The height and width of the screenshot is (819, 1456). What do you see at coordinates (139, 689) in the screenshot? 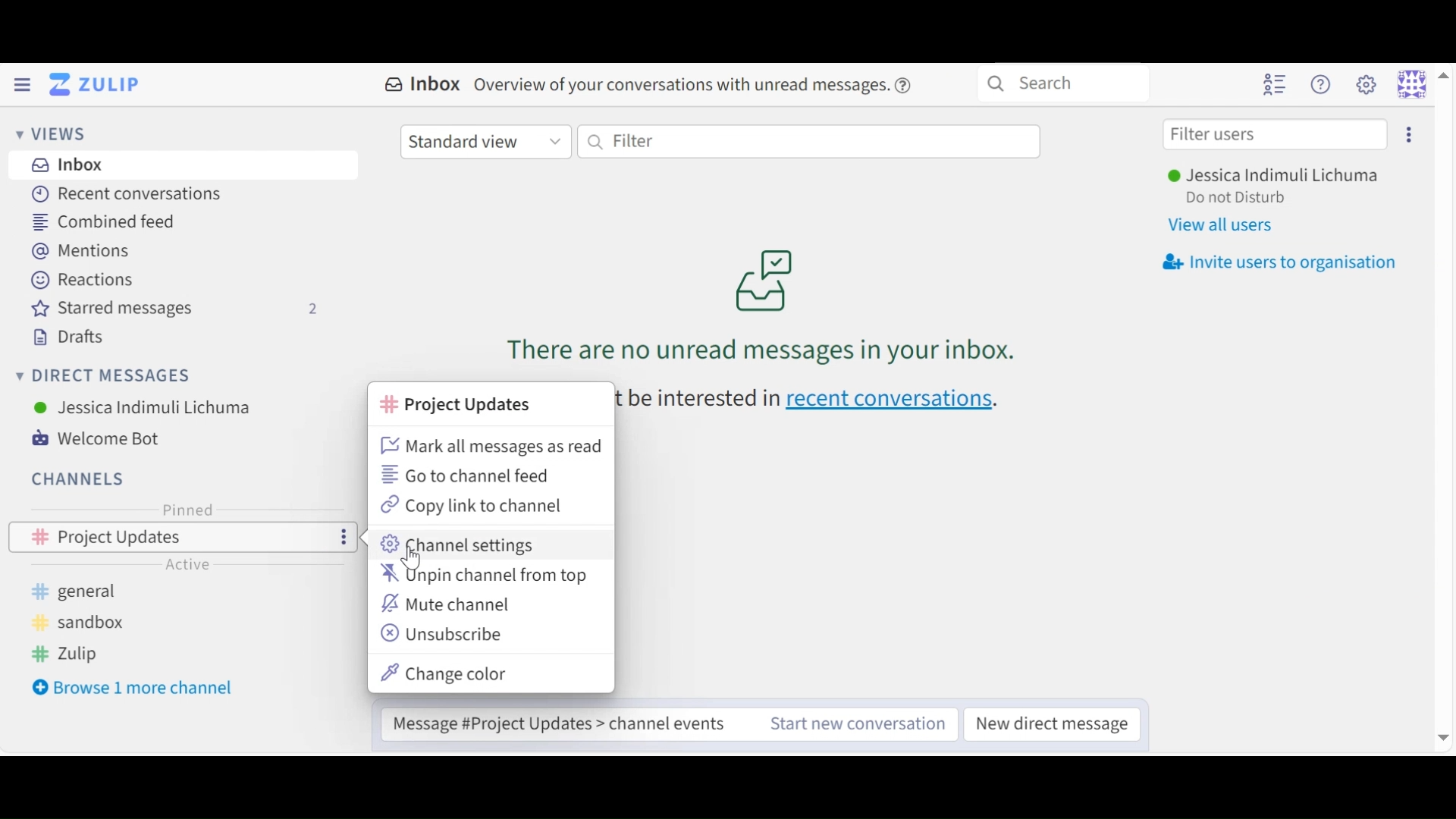
I see `Browse more channel` at bounding box center [139, 689].